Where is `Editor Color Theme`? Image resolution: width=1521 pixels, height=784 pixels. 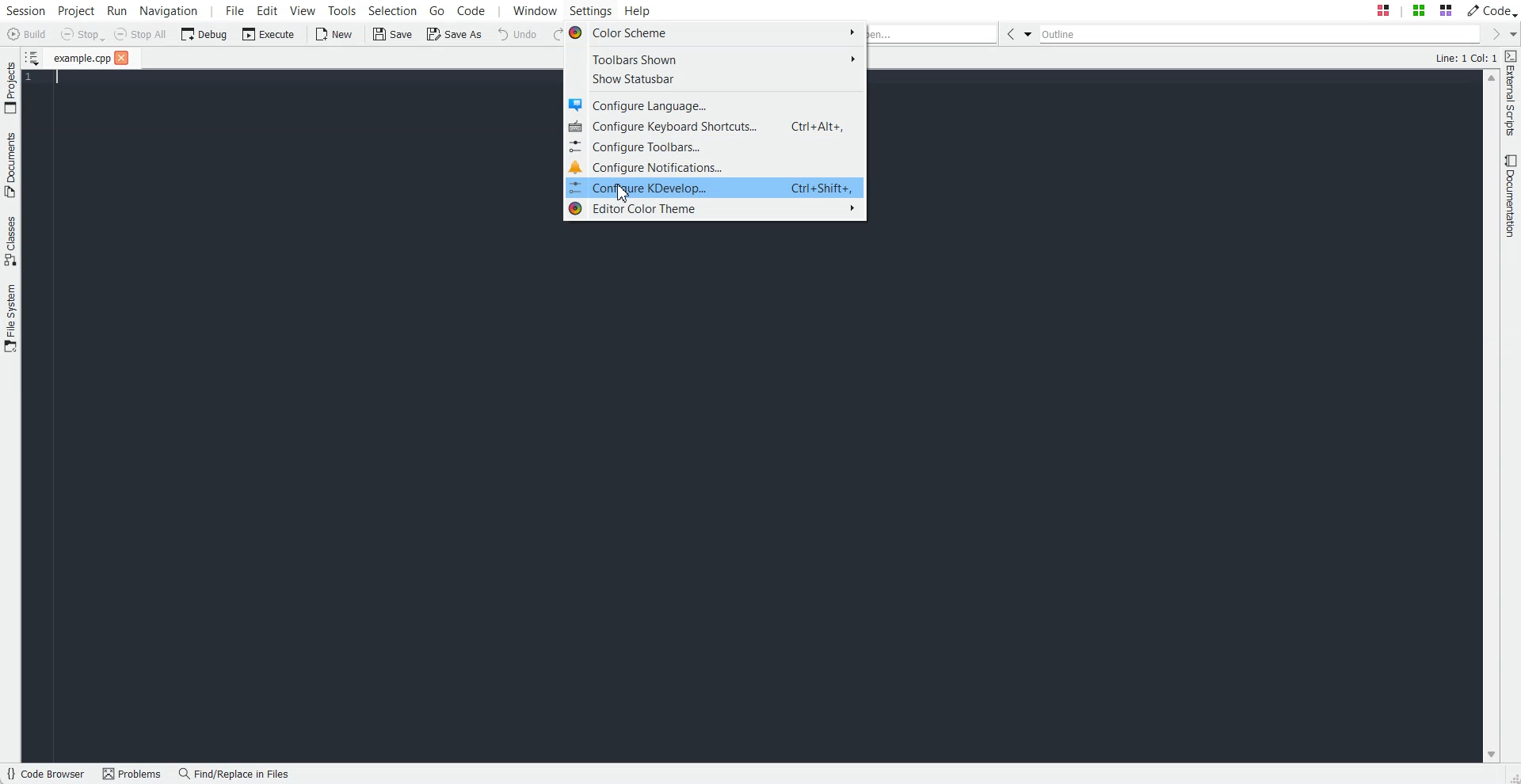
Editor Color Theme is located at coordinates (715, 209).